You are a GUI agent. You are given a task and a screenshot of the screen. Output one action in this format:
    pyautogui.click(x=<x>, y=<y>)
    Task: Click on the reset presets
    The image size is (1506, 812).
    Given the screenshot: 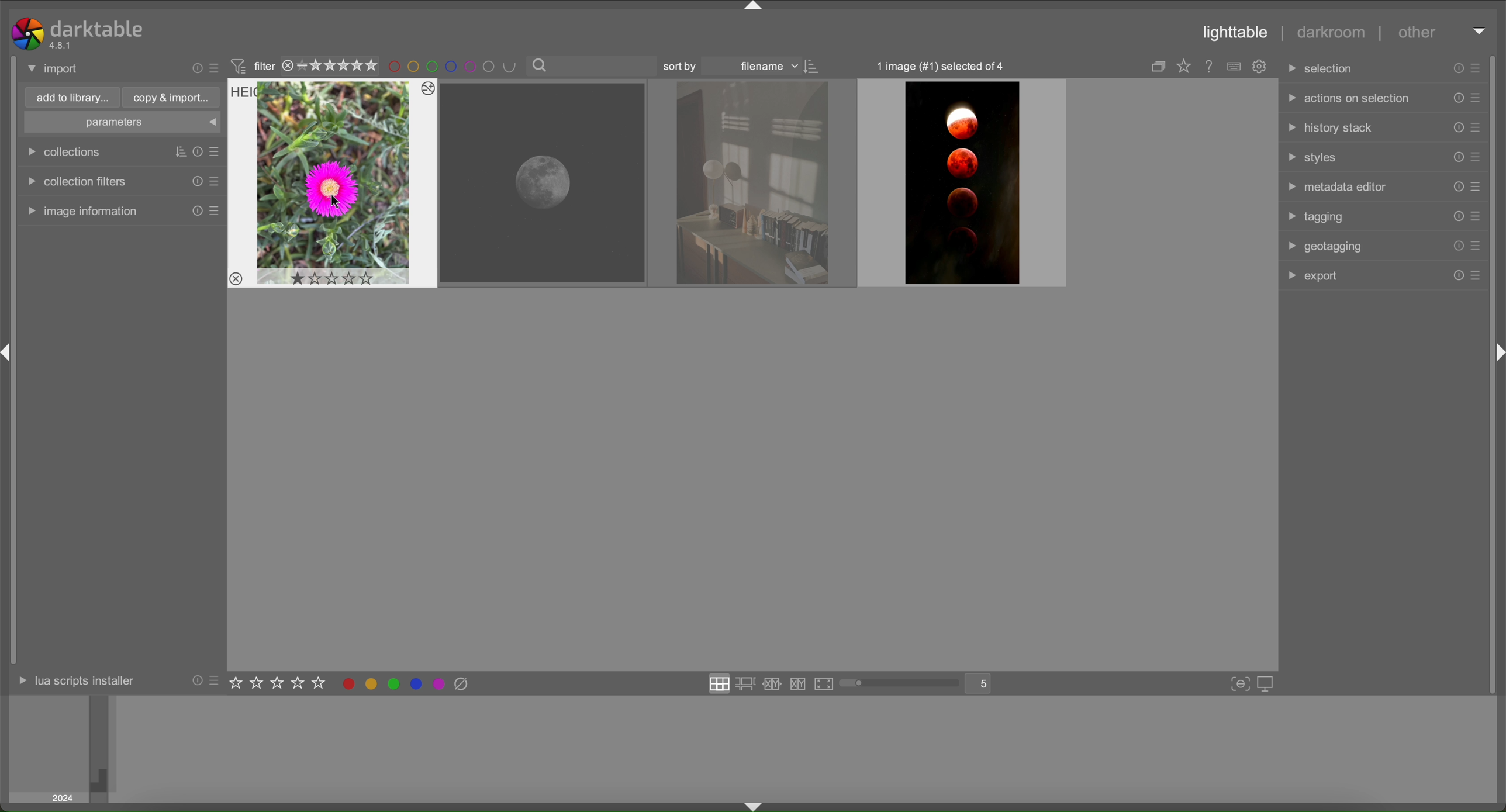 What is the action you would take?
    pyautogui.click(x=1456, y=186)
    